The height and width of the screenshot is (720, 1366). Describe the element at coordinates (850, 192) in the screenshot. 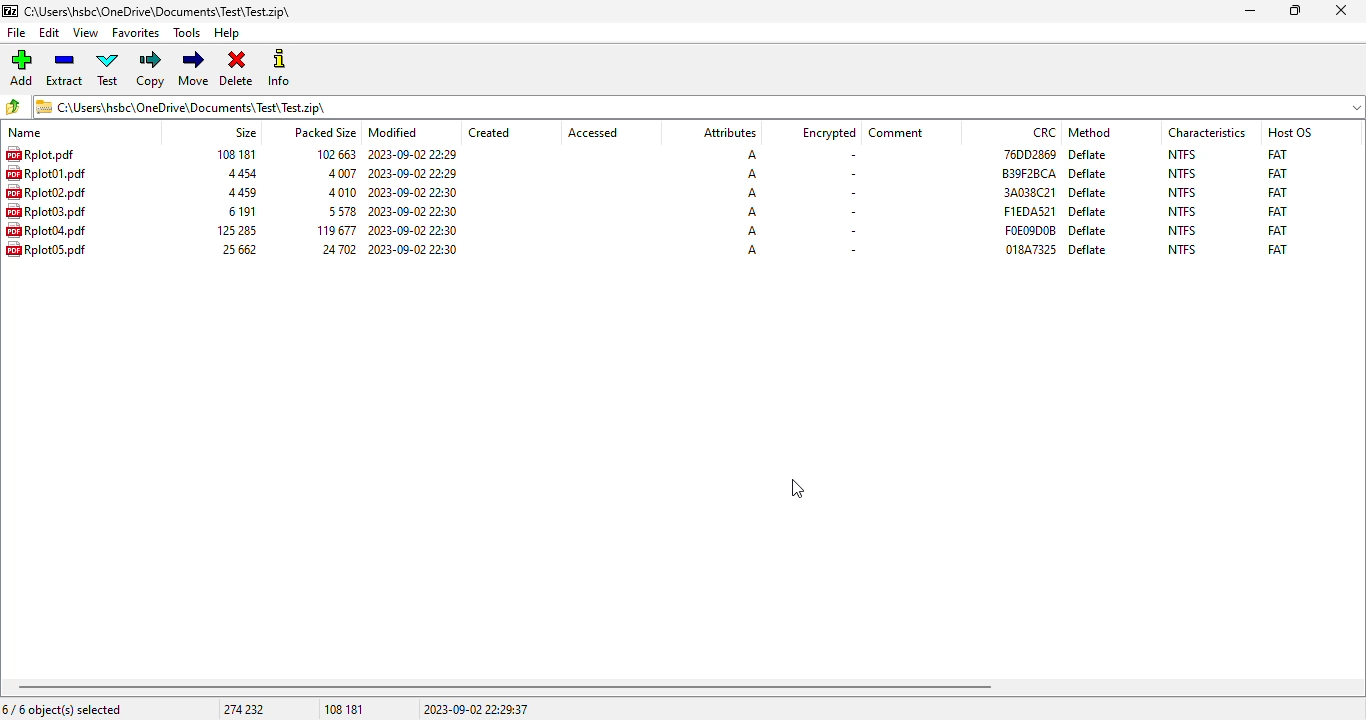

I see `-` at that location.